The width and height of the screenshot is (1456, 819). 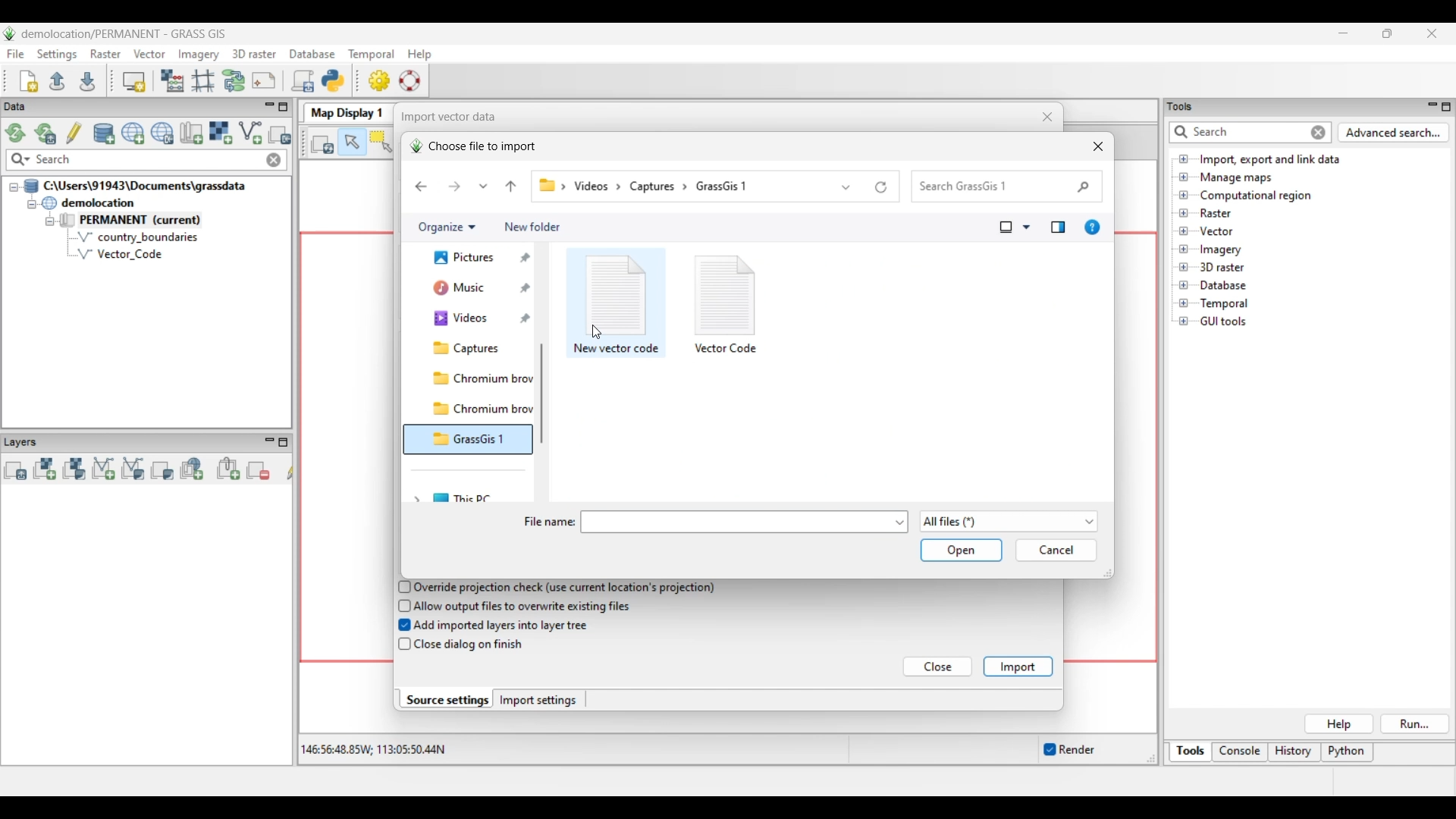 What do you see at coordinates (446, 699) in the screenshot?
I see `Source settings, current selection` at bounding box center [446, 699].